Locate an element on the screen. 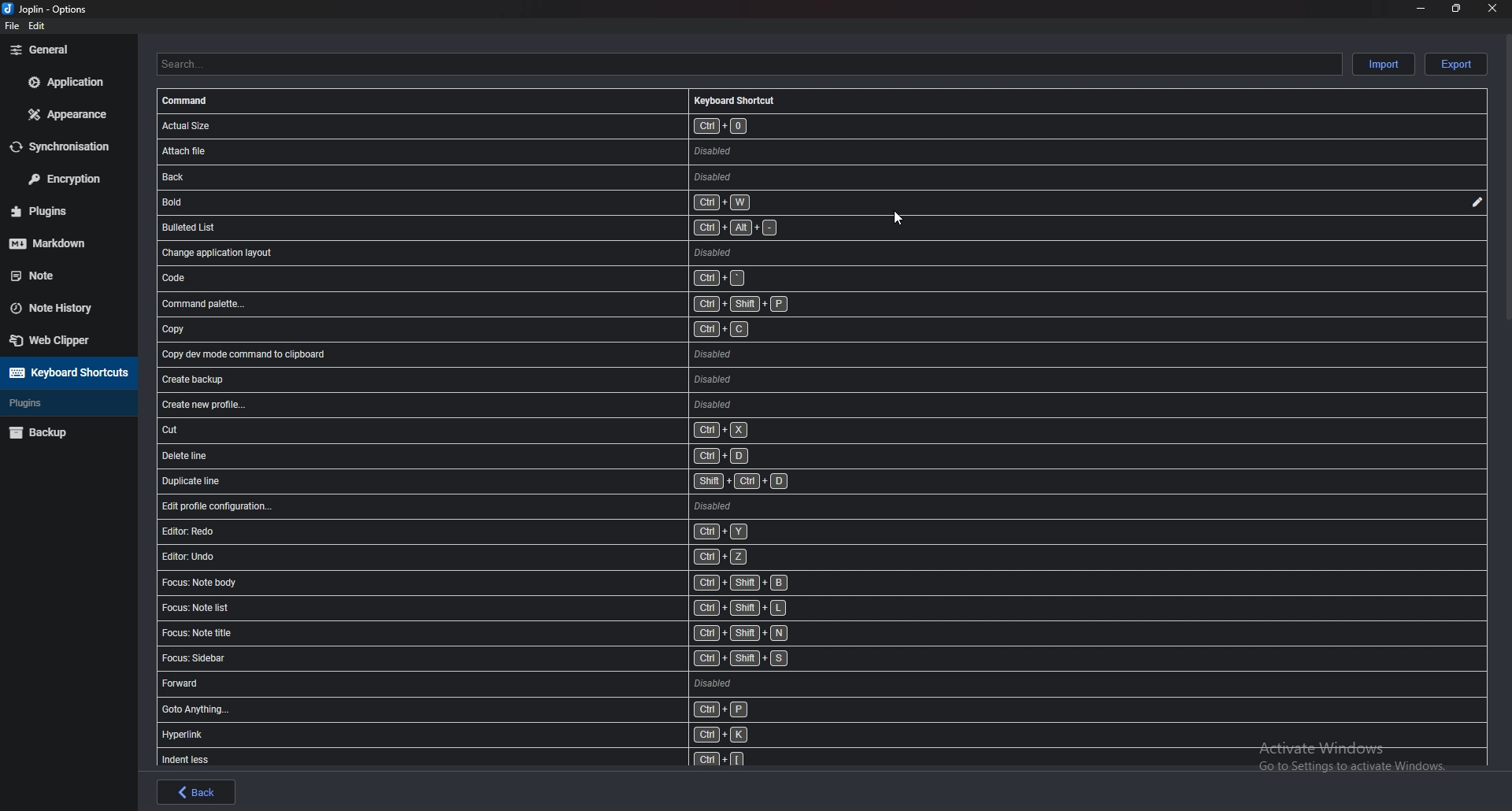 The height and width of the screenshot is (811, 1512). shortcut is located at coordinates (520, 378).